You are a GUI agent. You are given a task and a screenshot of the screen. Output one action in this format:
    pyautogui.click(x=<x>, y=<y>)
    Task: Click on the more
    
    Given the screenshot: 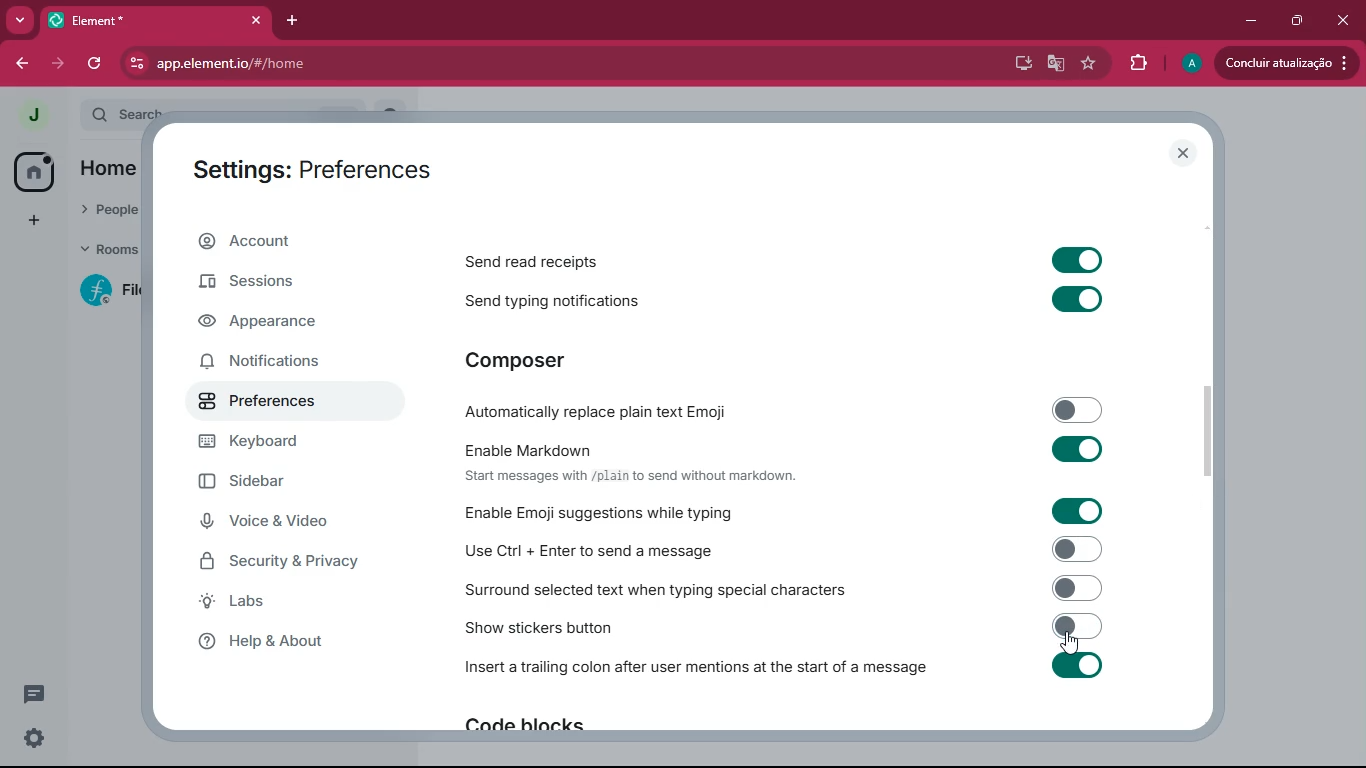 What is the action you would take?
    pyautogui.click(x=20, y=21)
    